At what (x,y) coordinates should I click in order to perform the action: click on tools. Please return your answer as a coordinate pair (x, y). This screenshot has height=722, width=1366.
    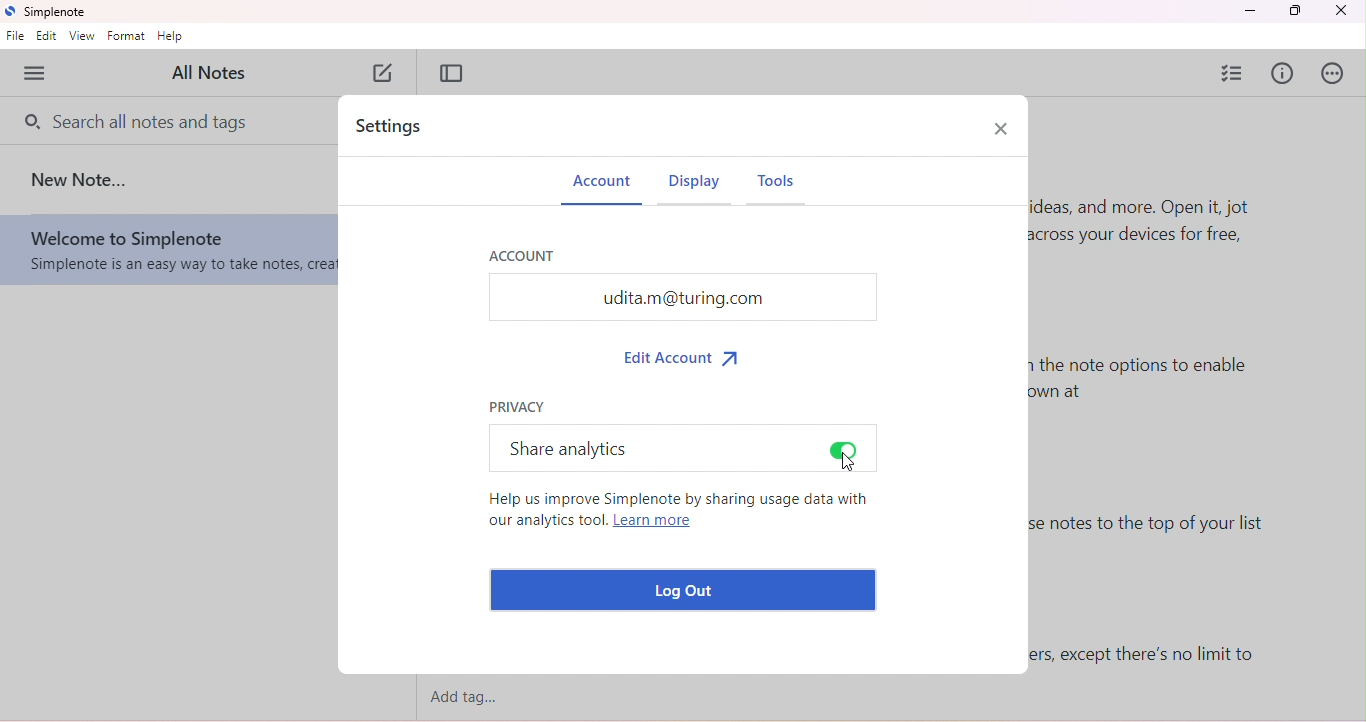
    Looking at the image, I should click on (785, 188).